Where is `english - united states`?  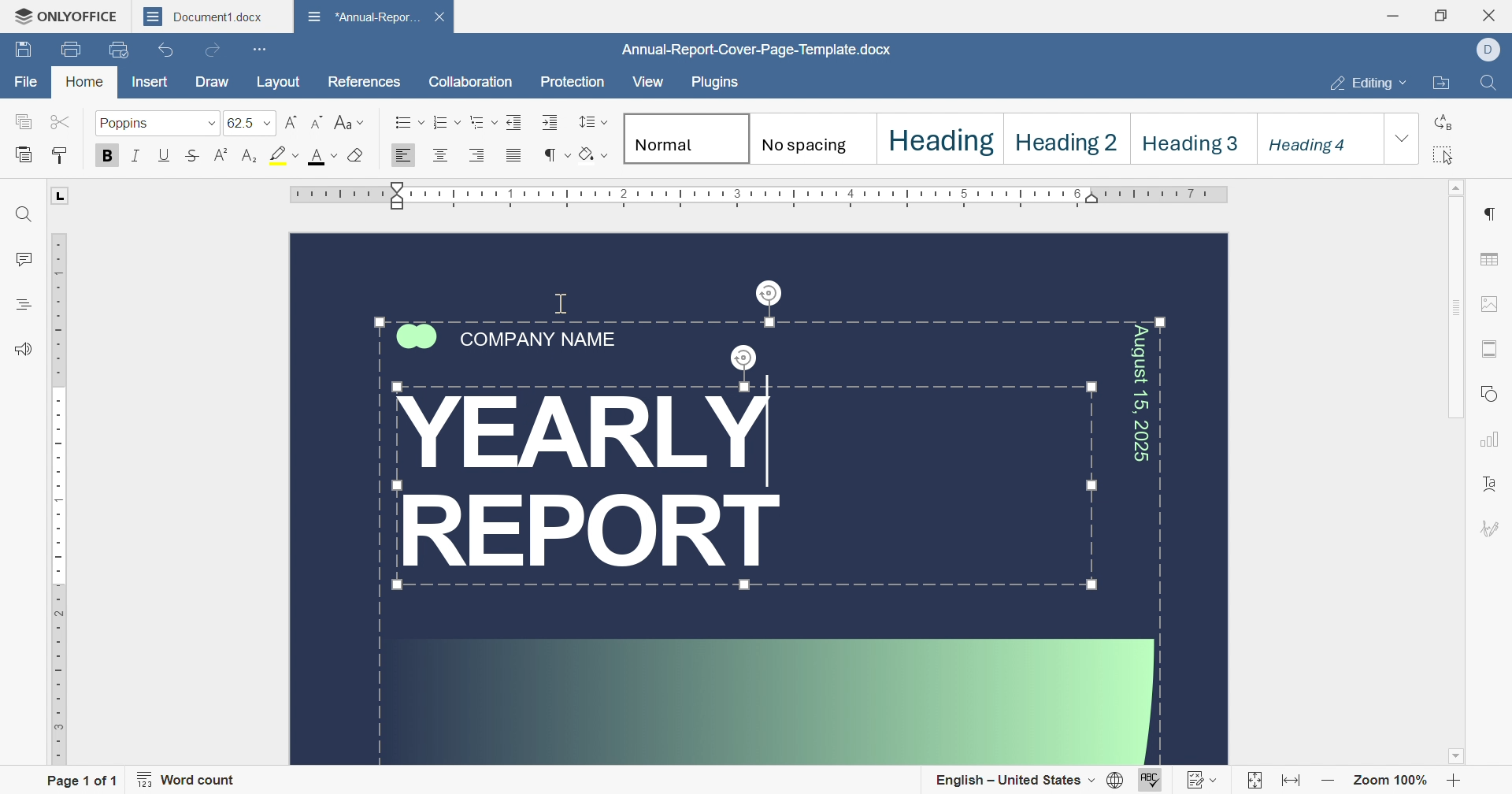 english - united states is located at coordinates (1015, 781).